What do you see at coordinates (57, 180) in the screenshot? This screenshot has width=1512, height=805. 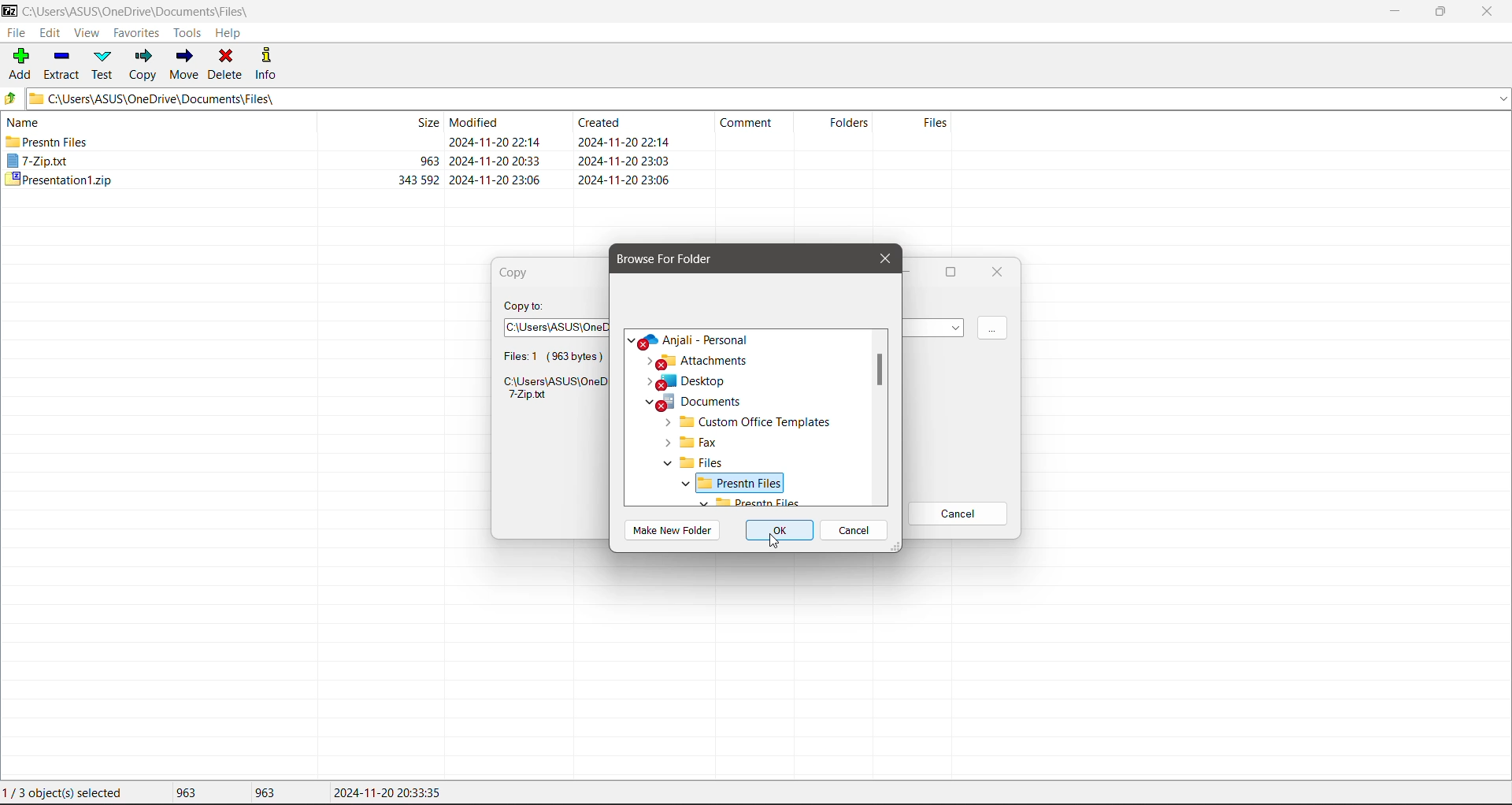 I see `Presentation1.zip` at bounding box center [57, 180].